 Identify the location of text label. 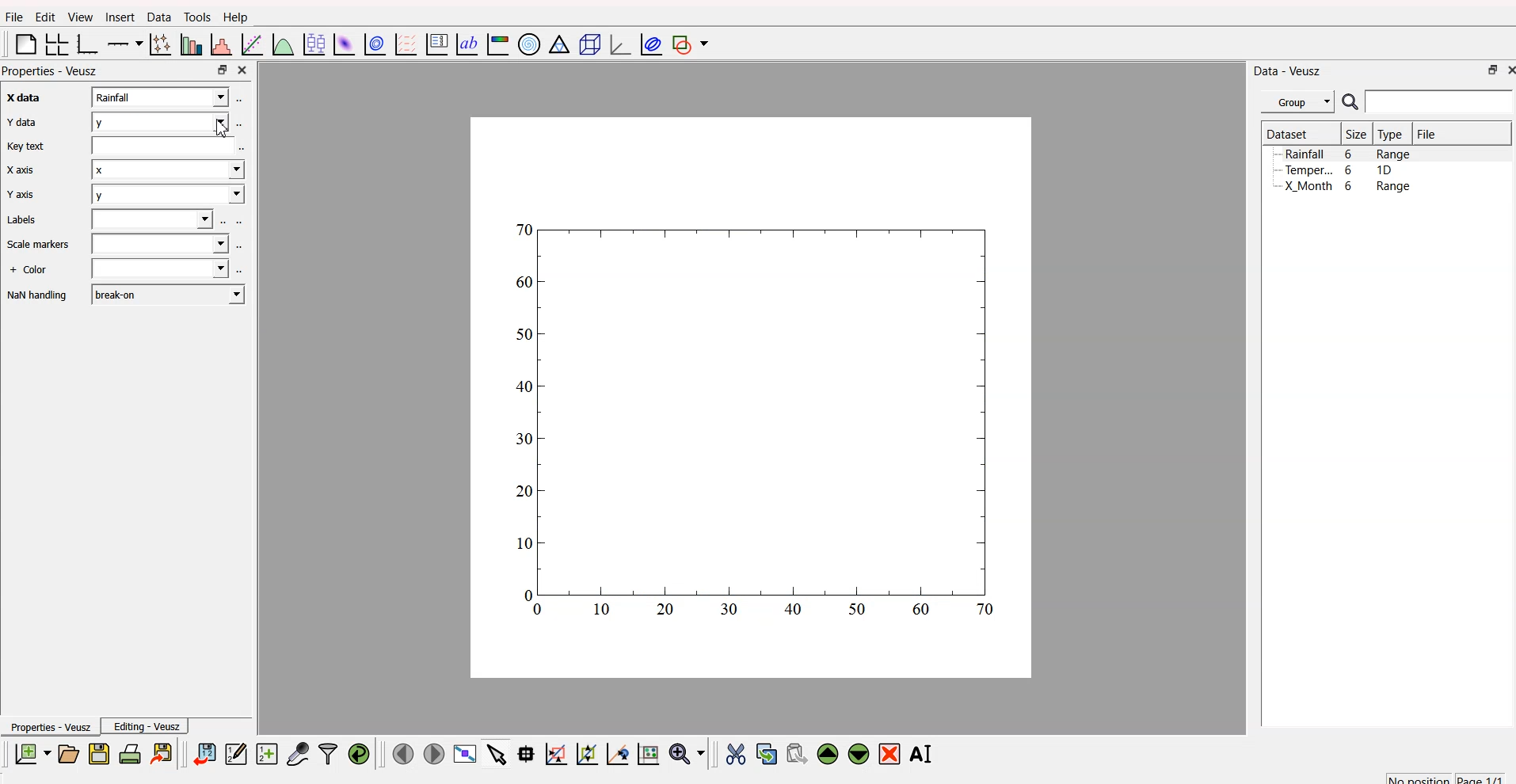
(465, 45).